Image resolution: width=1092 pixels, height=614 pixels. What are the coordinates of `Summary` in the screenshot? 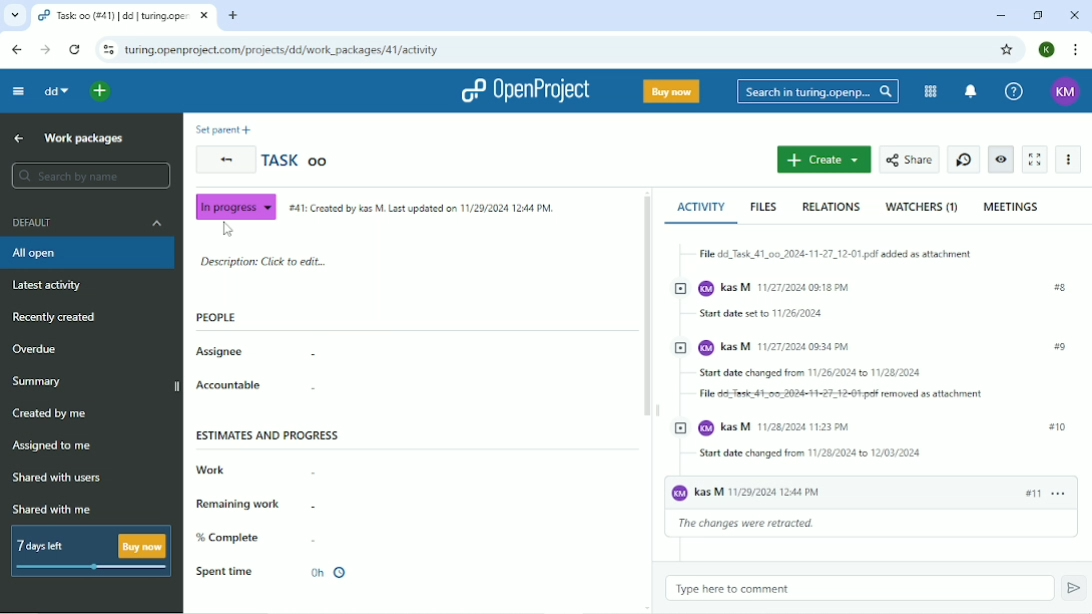 It's located at (38, 382).